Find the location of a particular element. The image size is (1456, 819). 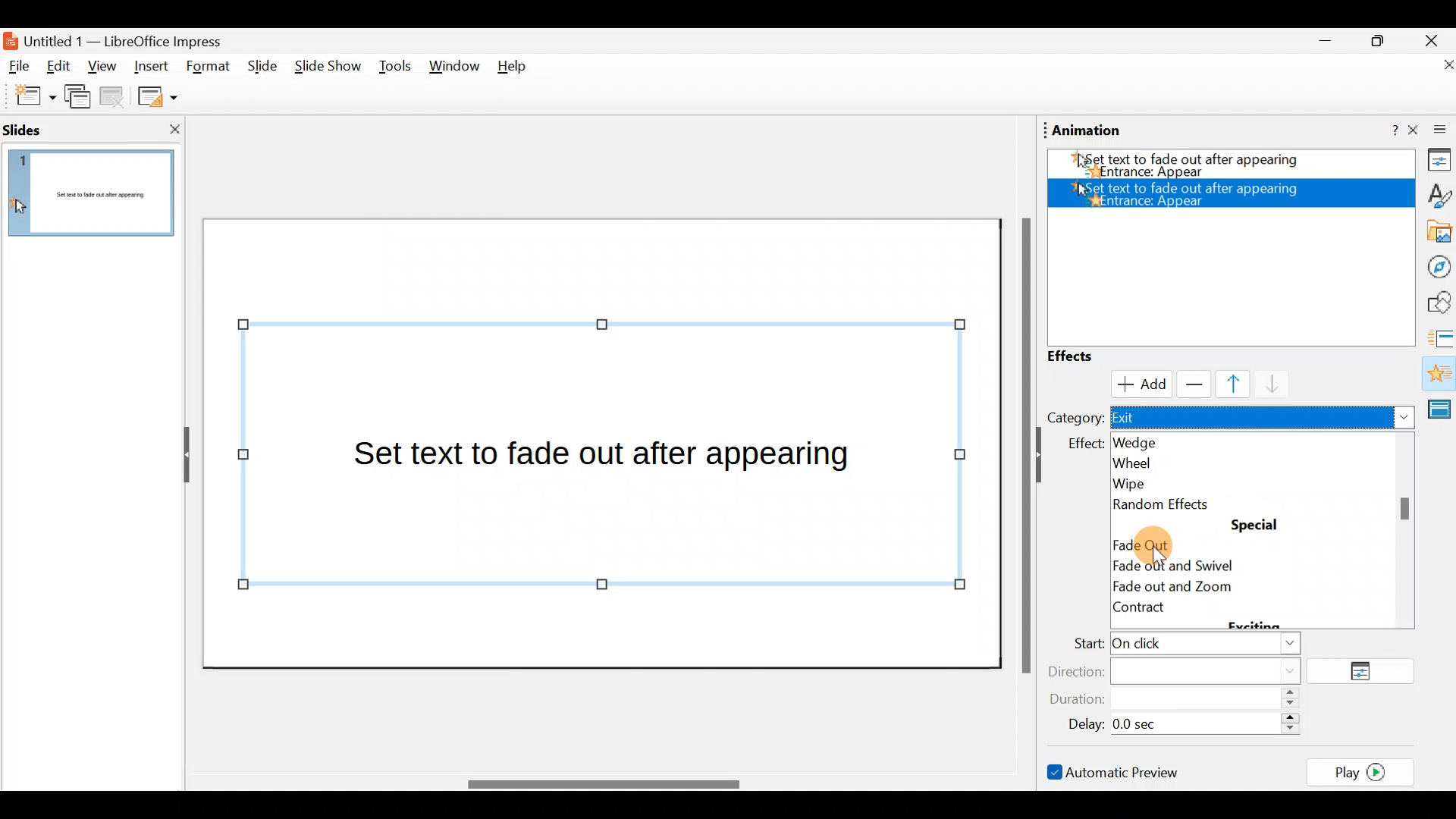

Gallery is located at coordinates (1436, 232).